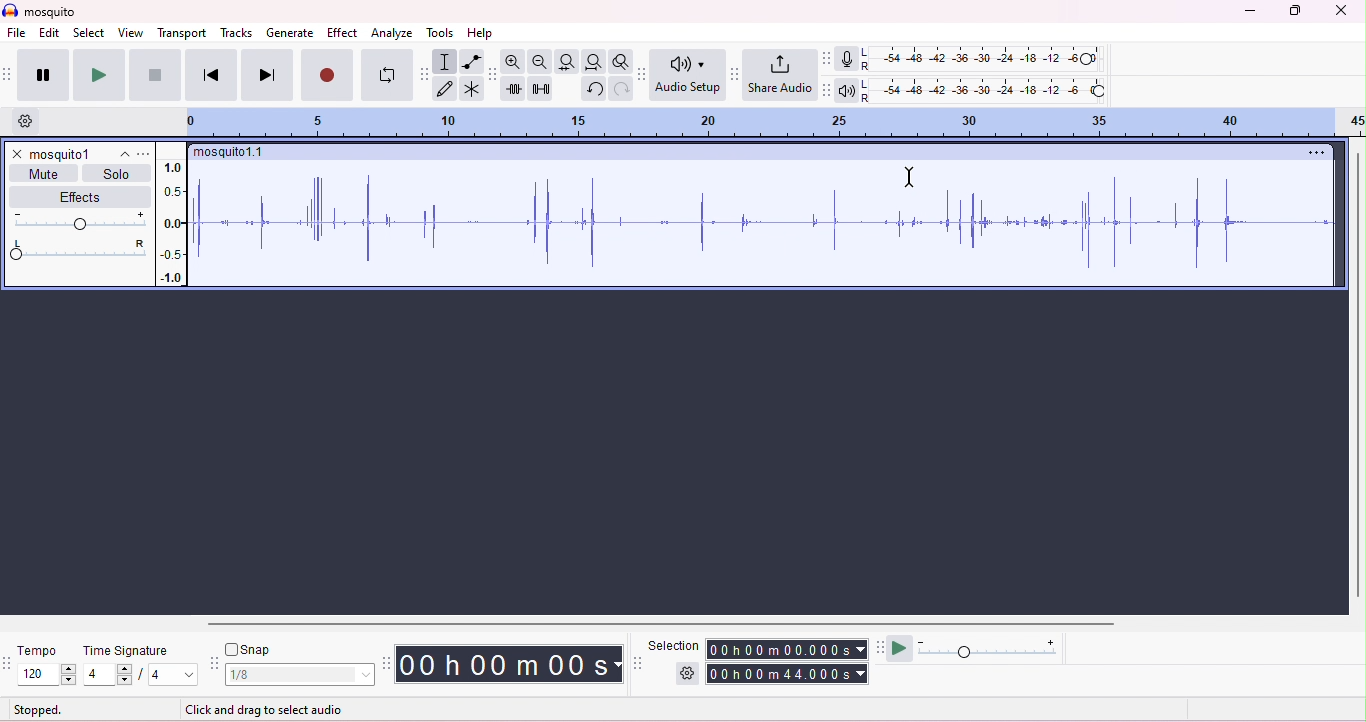 The width and height of the screenshot is (1366, 722). Describe the element at coordinates (42, 75) in the screenshot. I see `pause` at that location.